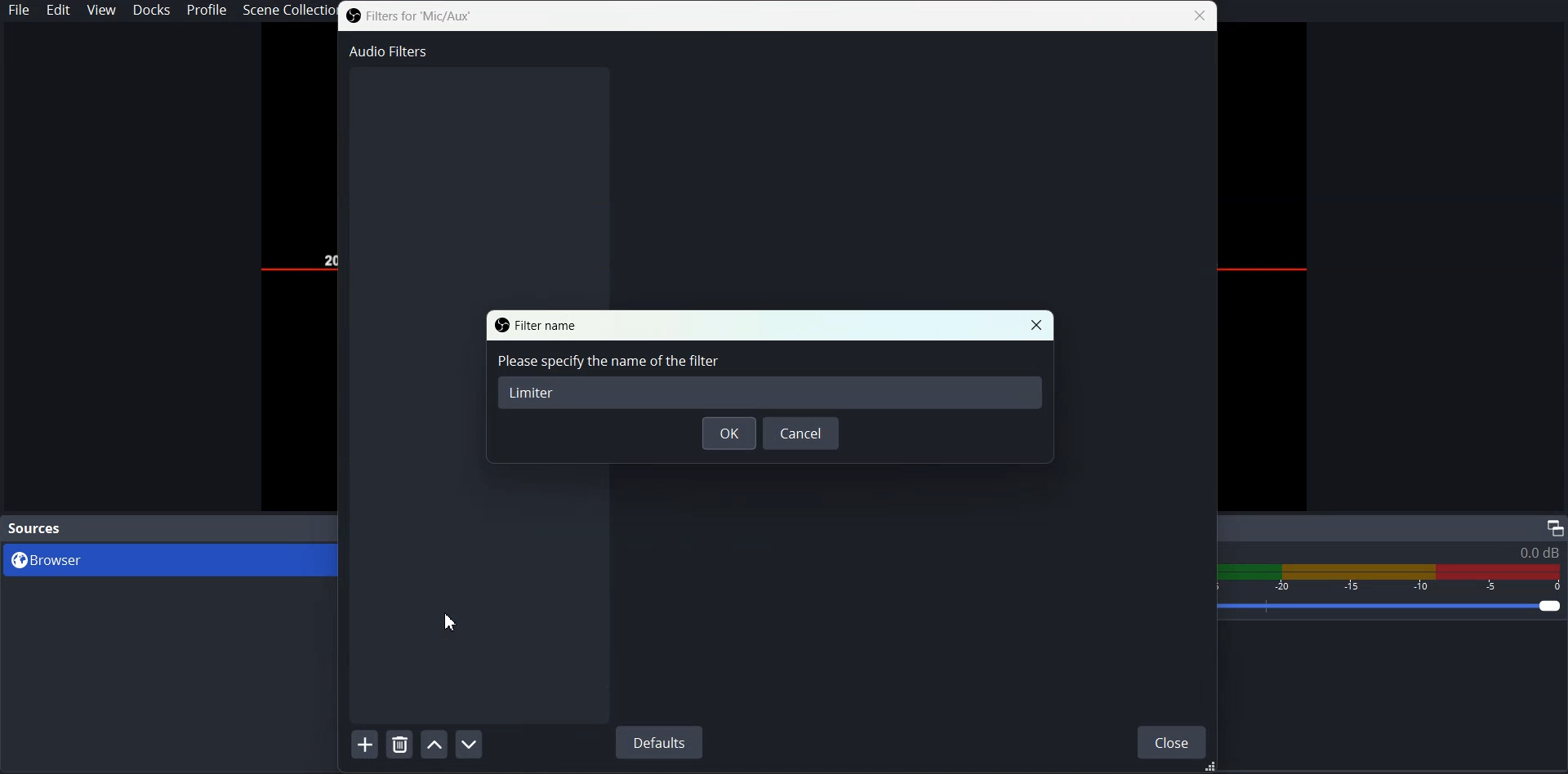 Image resolution: width=1568 pixels, height=774 pixels. I want to click on Audio Filters, so click(386, 51).